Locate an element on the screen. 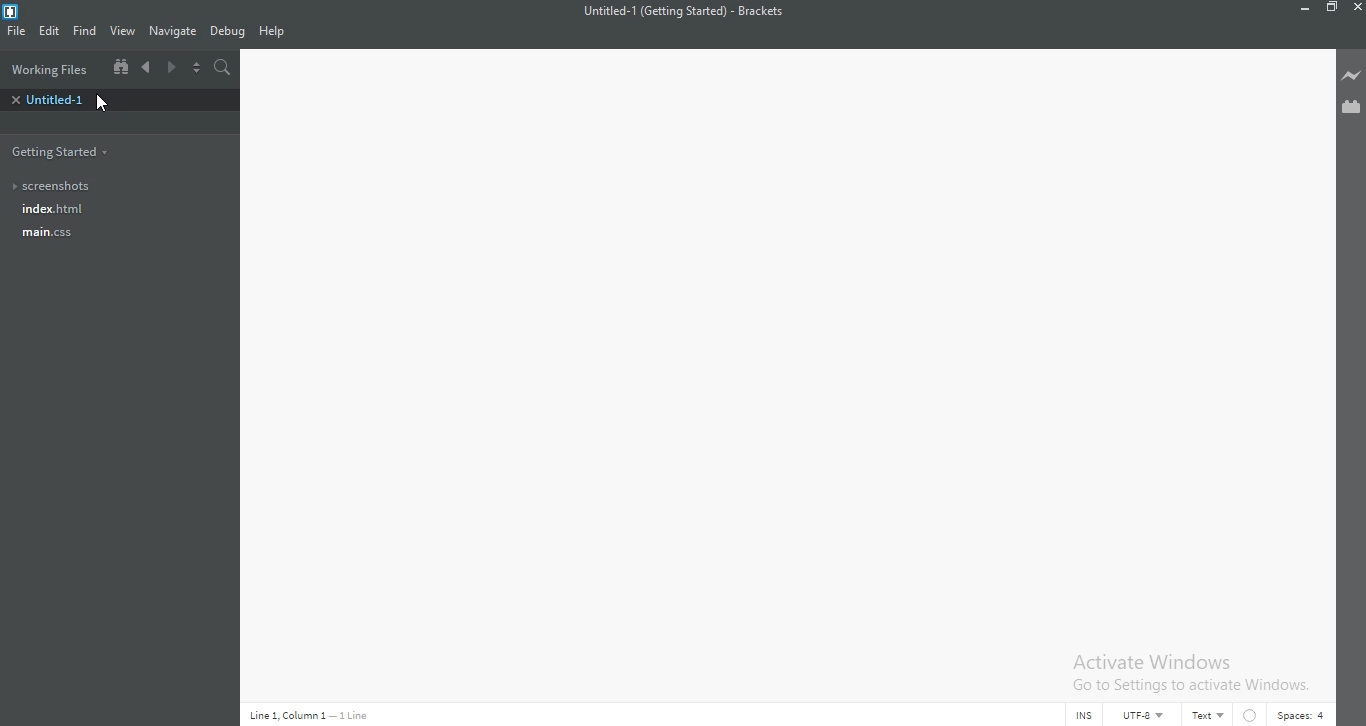 The height and width of the screenshot is (726, 1366). Find in files is located at coordinates (222, 69).